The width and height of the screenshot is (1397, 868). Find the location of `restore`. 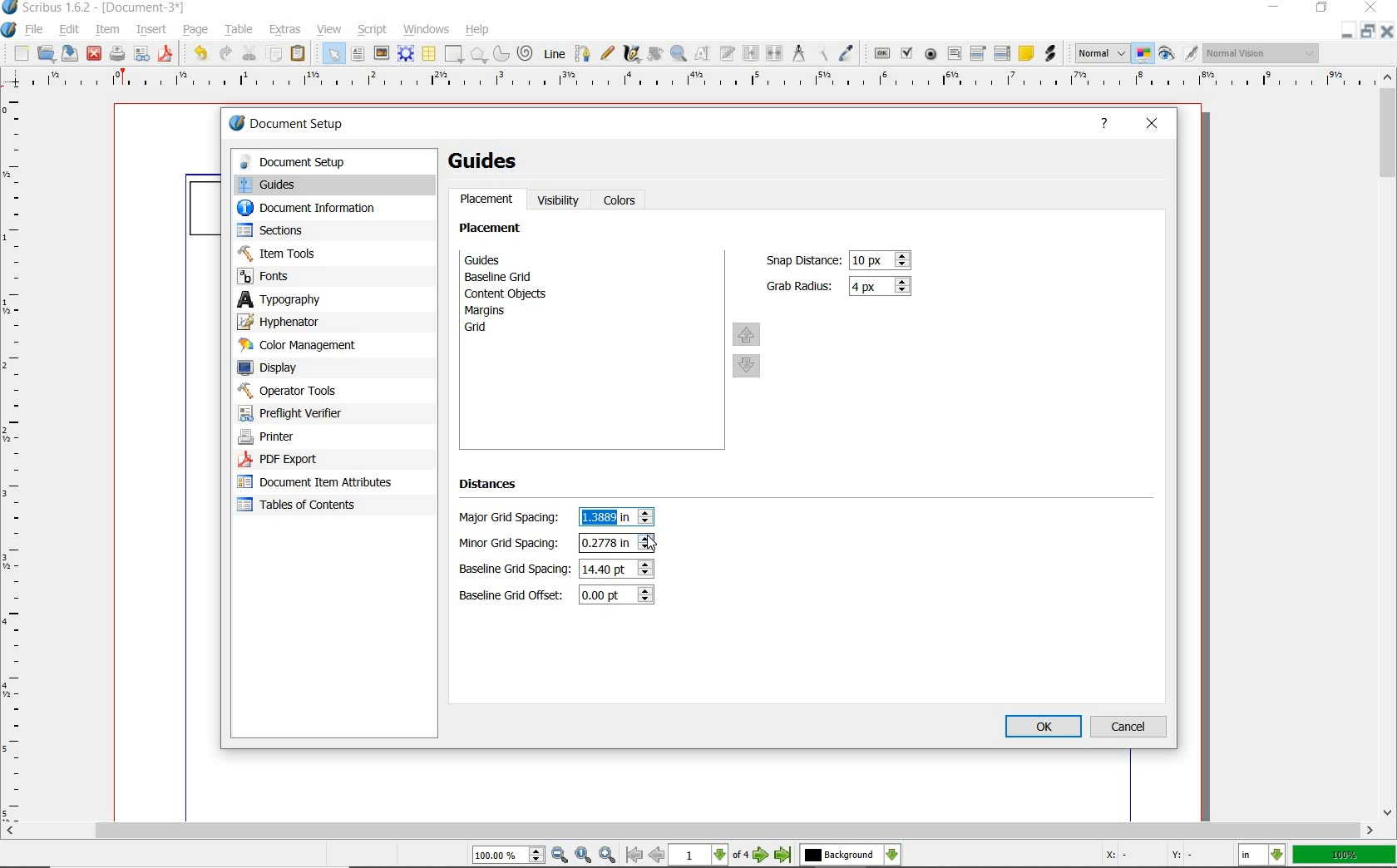

restore is located at coordinates (1370, 32).